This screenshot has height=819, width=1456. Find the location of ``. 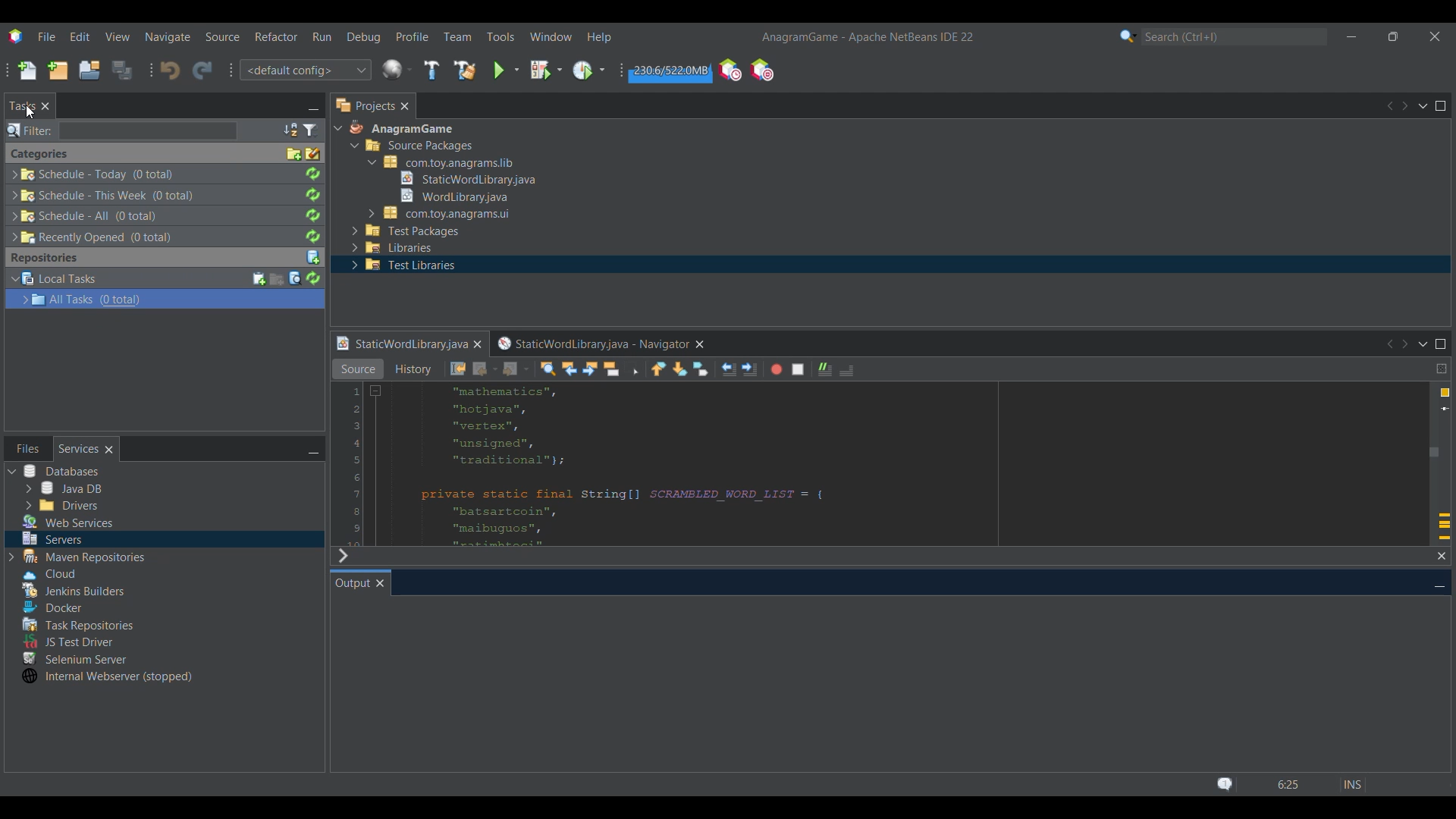

 is located at coordinates (450, 195).